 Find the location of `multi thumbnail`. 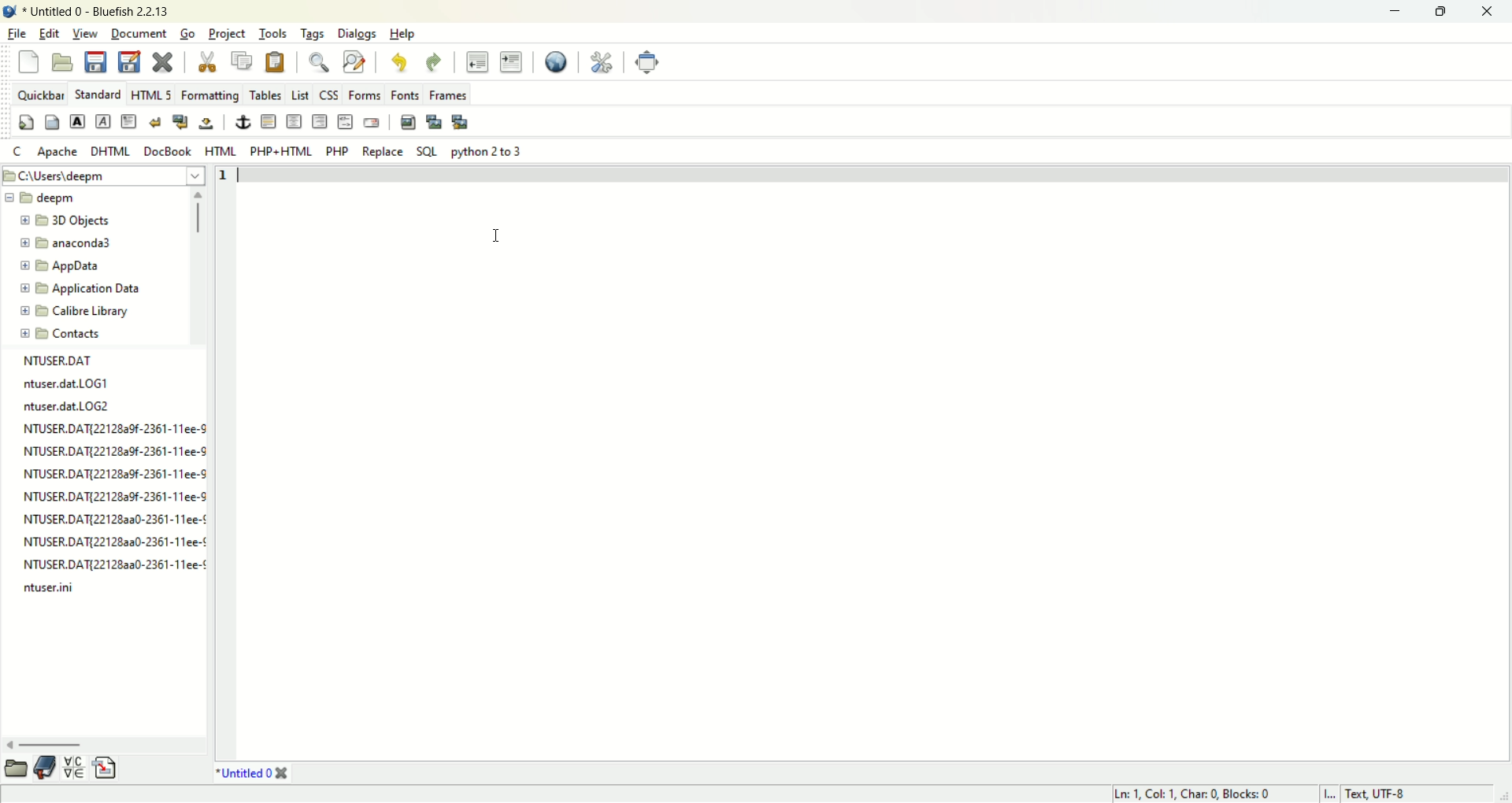

multi thumbnail is located at coordinates (460, 120).